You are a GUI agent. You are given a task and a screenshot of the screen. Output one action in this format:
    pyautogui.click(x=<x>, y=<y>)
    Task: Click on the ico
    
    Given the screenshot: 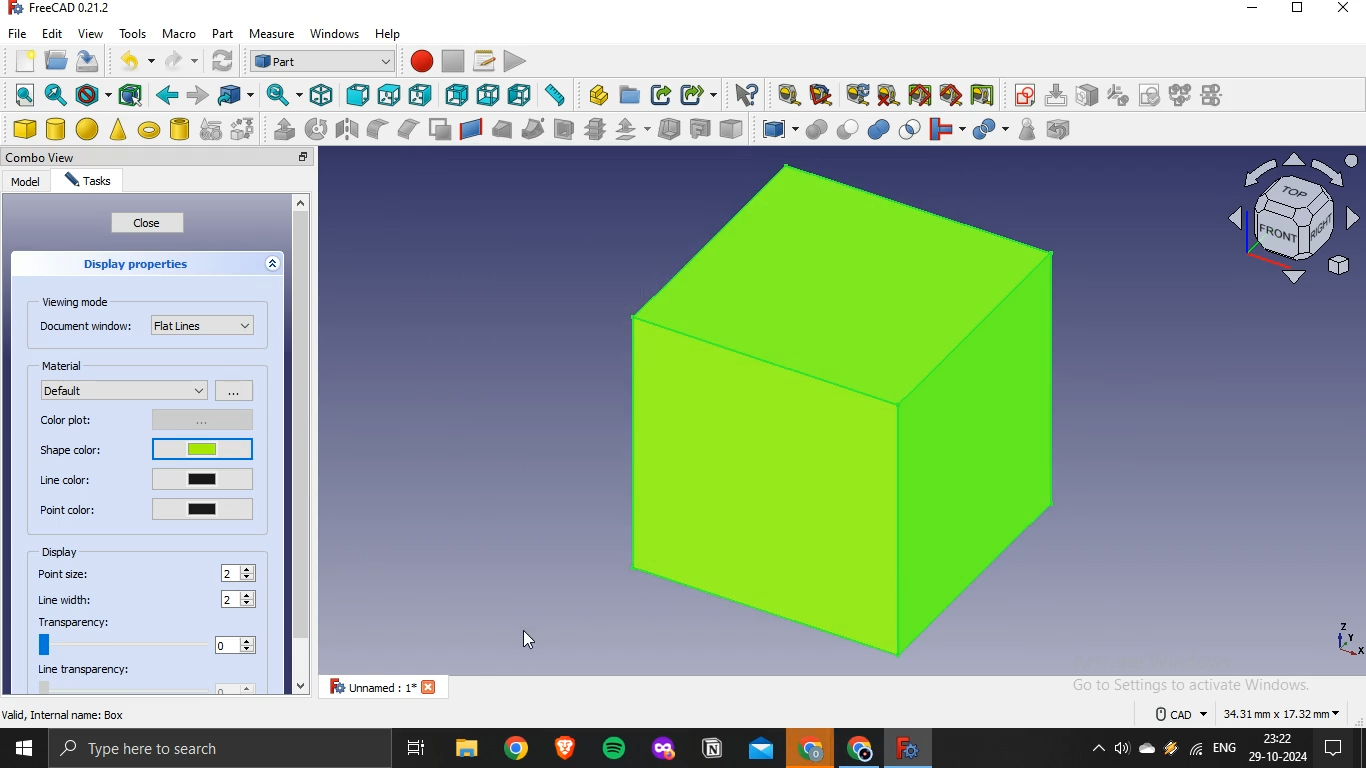 What is the action you would take?
    pyautogui.click(x=1298, y=215)
    